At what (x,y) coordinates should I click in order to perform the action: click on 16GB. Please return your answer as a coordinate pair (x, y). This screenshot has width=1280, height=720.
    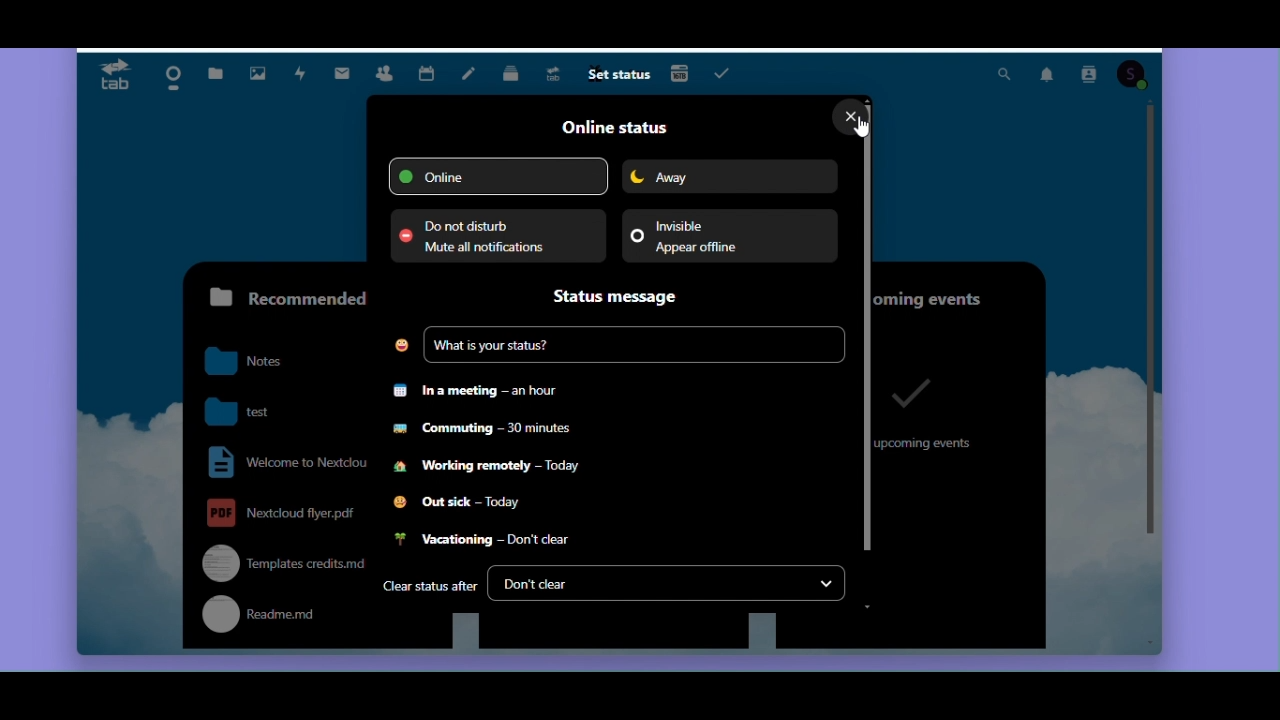
    Looking at the image, I should click on (680, 72).